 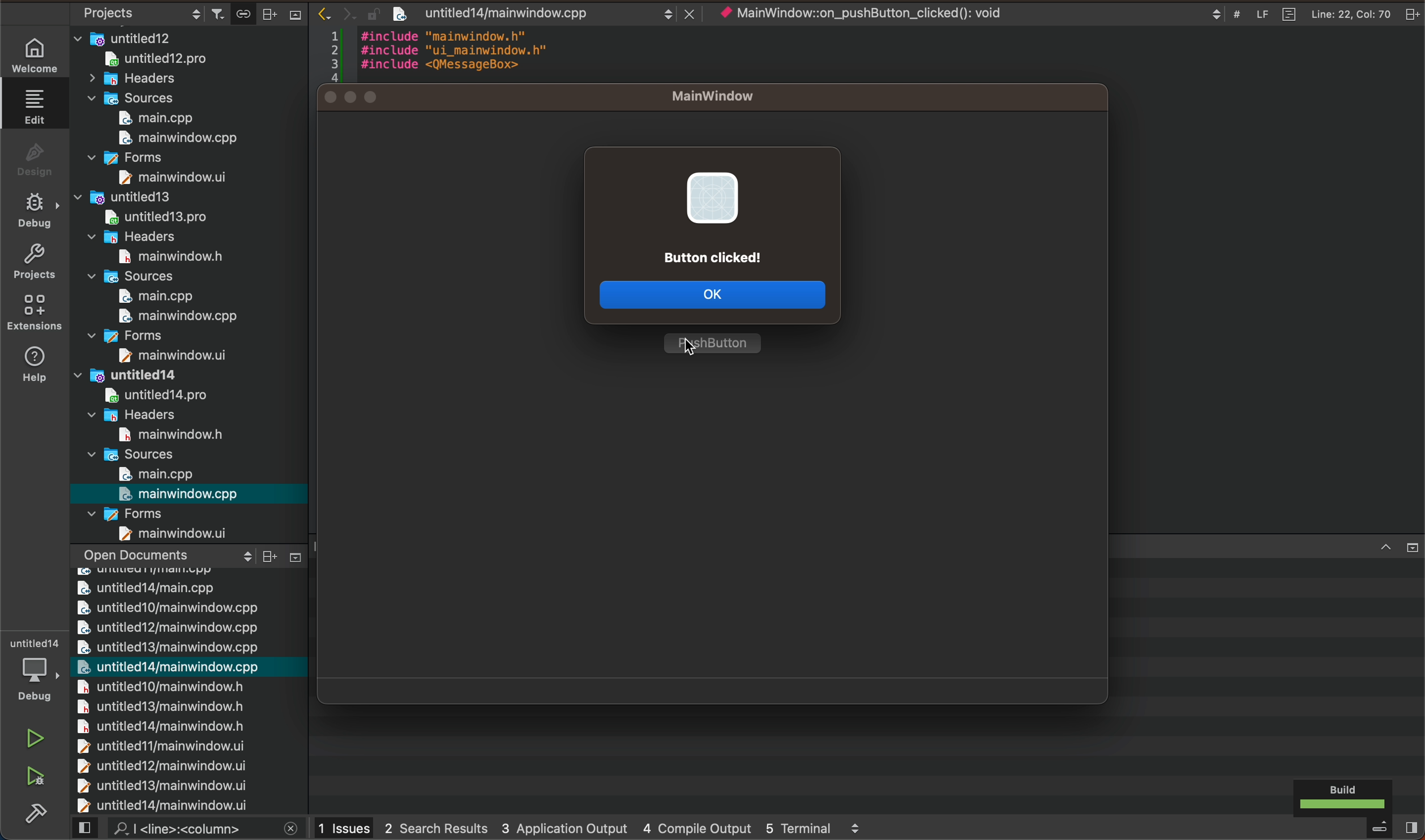 What do you see at coordinates (170, 138) in the screenshot?
I see `main window.cpp` at bounding box center [170, 138].